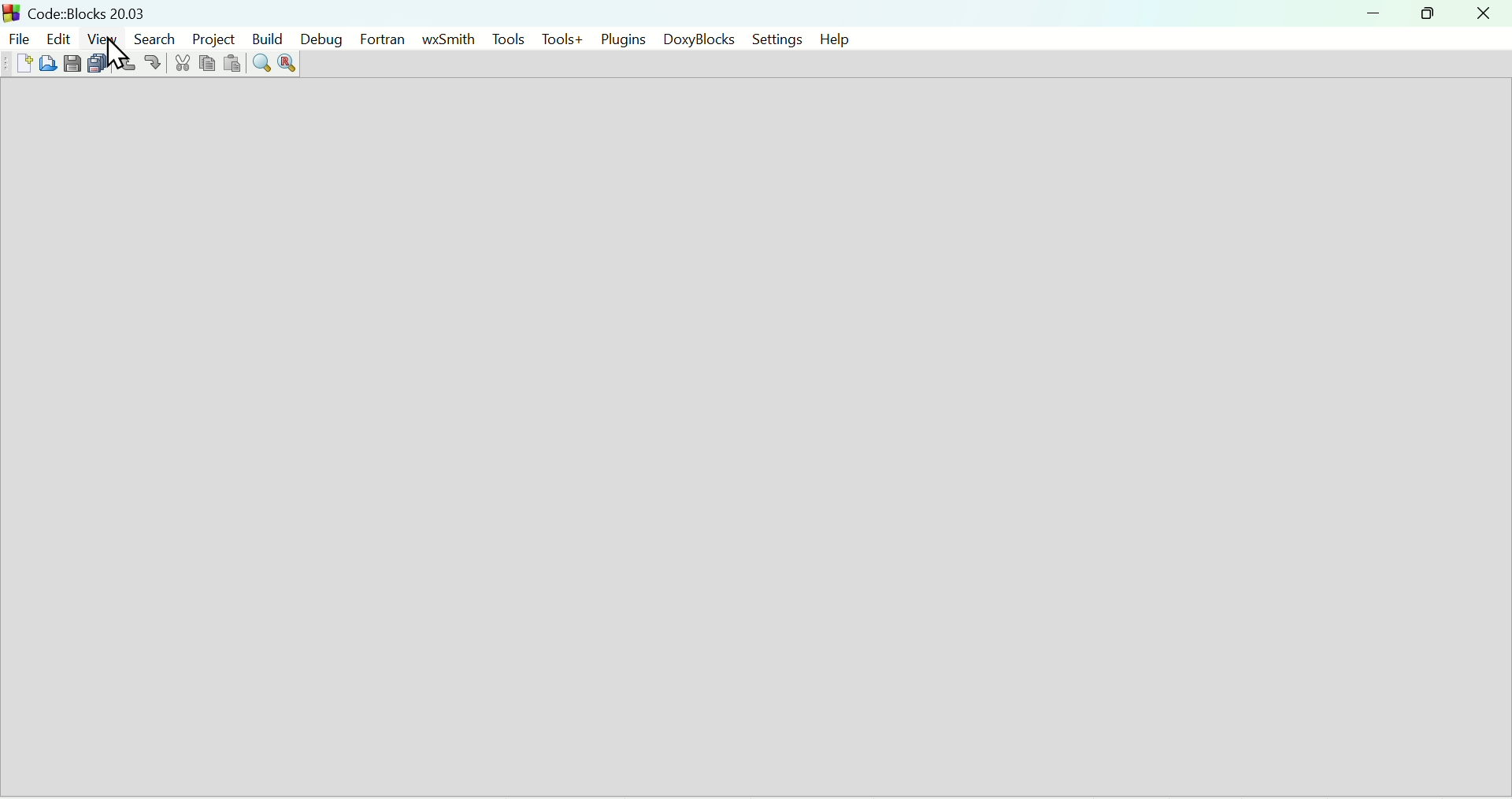  I want to click on View, so click(103, 38).